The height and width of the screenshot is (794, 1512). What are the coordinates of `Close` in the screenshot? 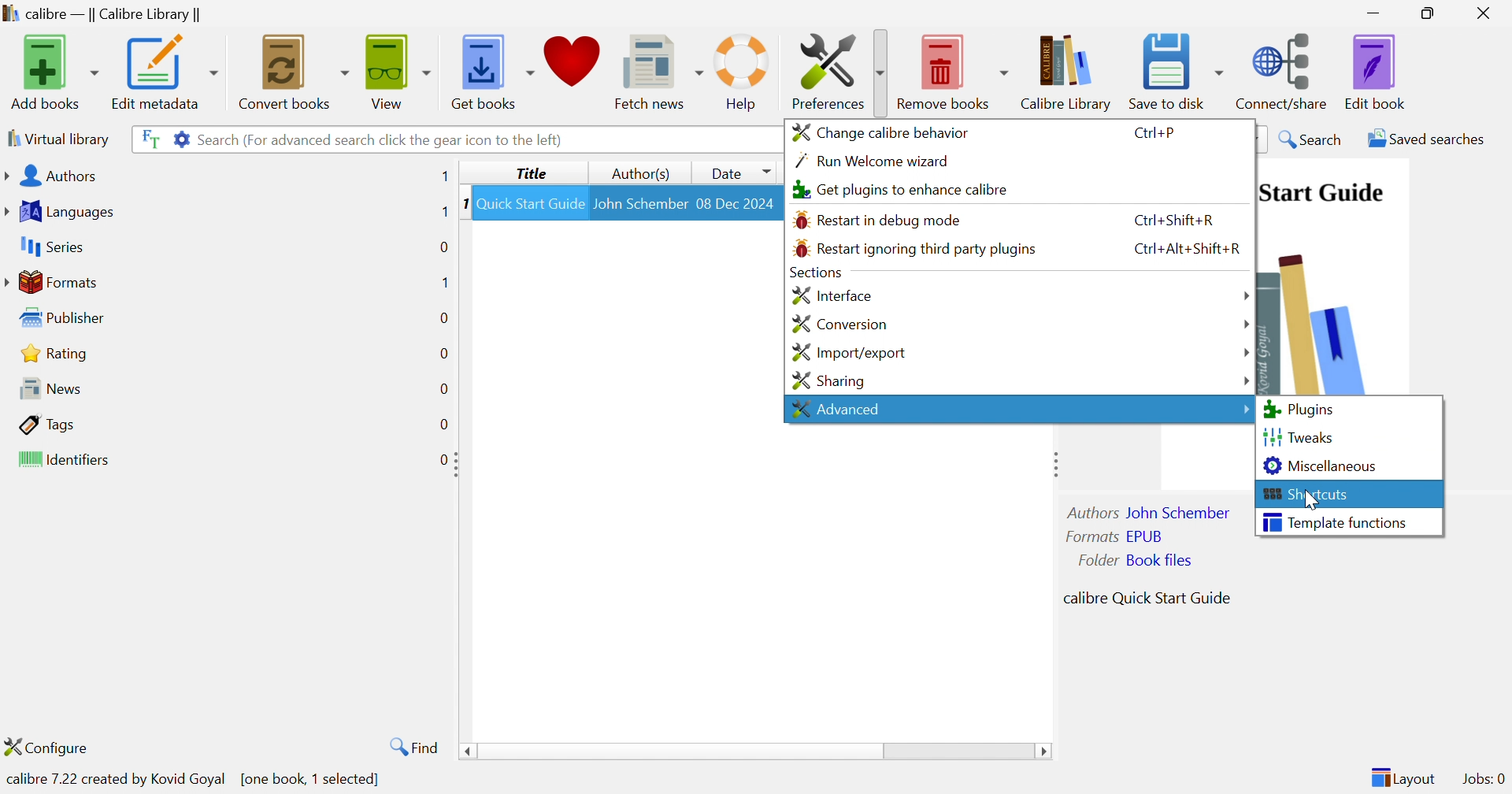 It's located at (1488, 13).